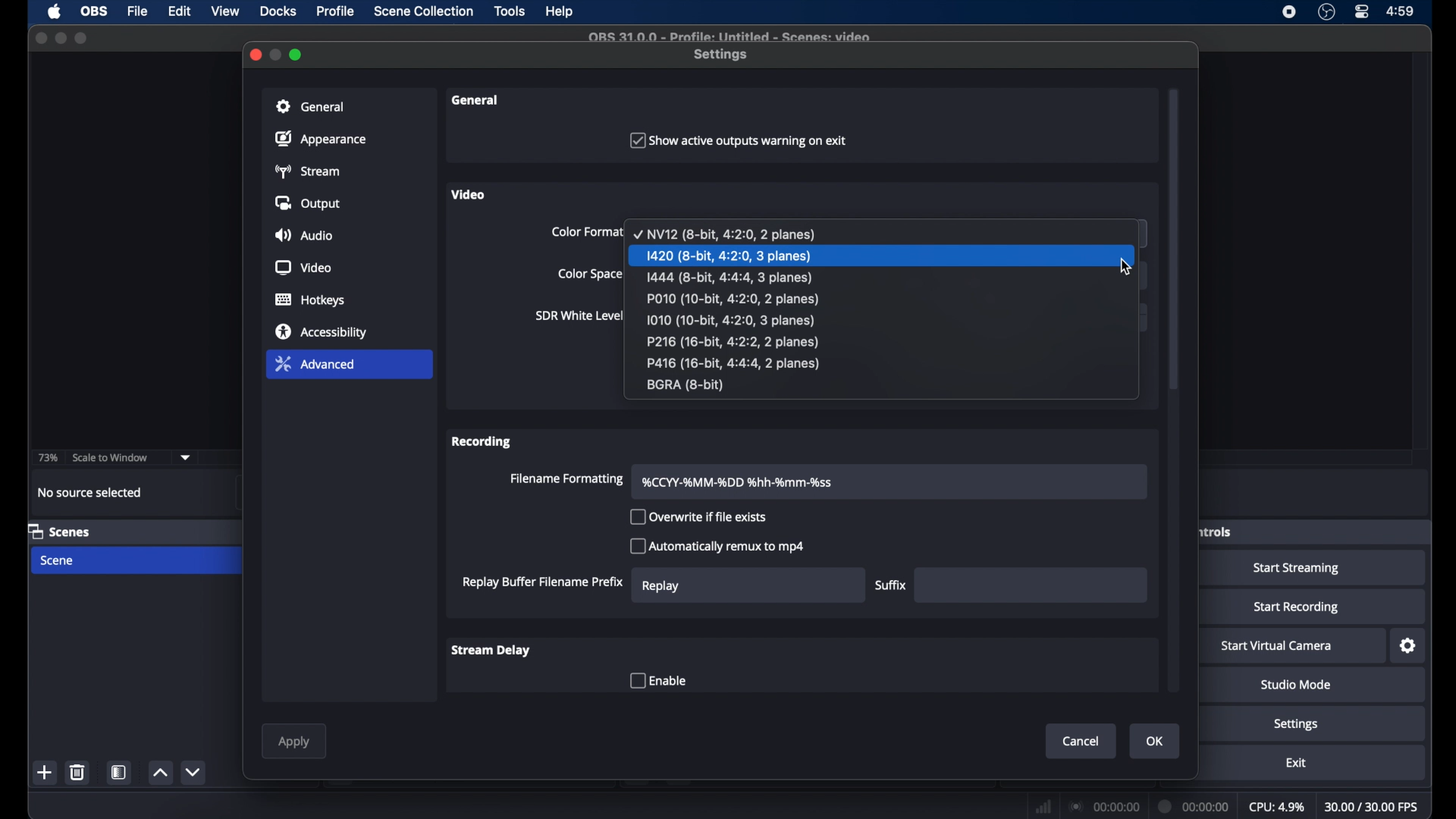  I want to click on audio, so click(306, 235).